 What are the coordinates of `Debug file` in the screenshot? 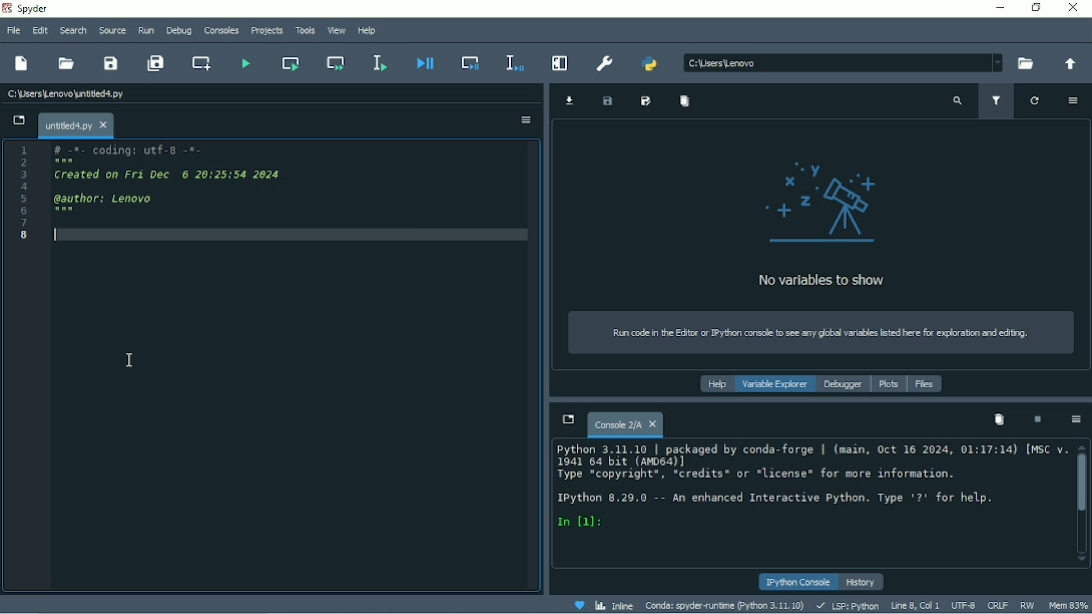 It's located at (425, 64).